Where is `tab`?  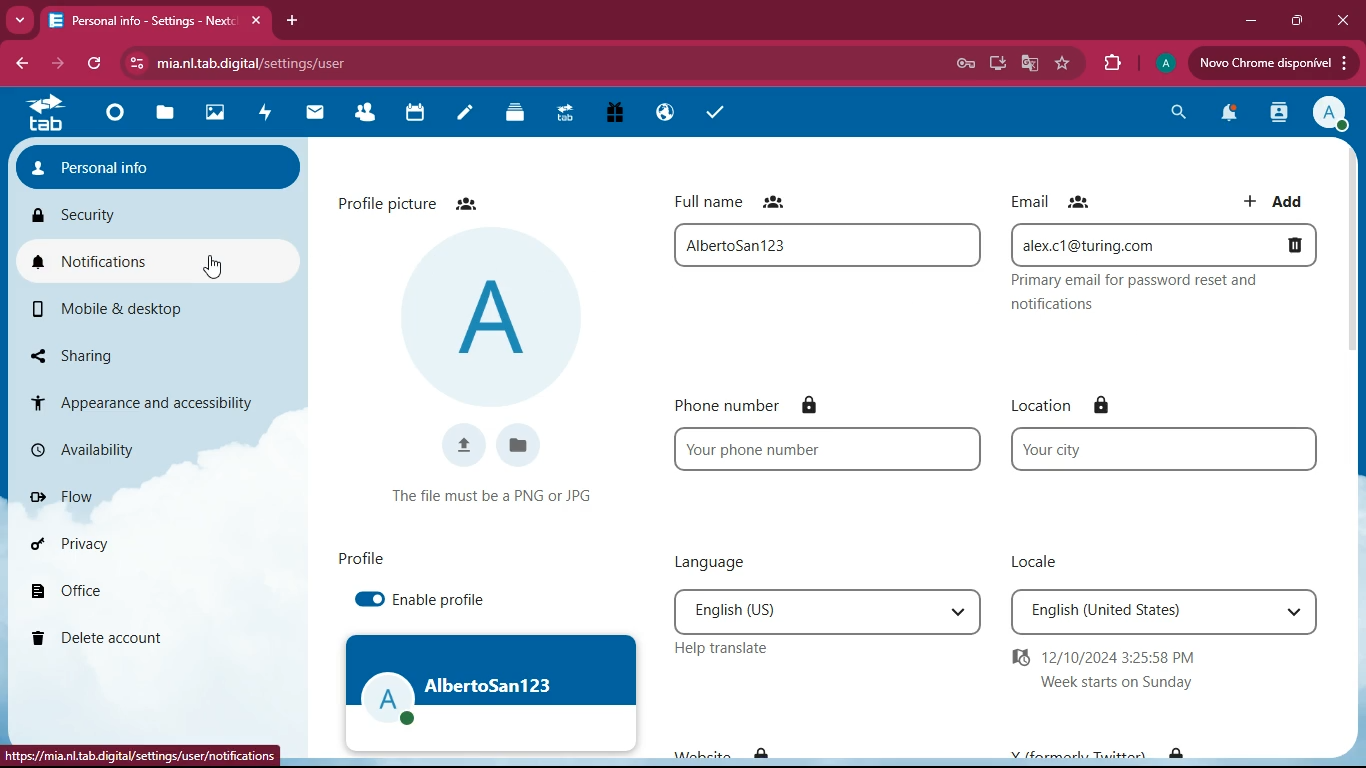 tab is located at coordinates (140, 20).